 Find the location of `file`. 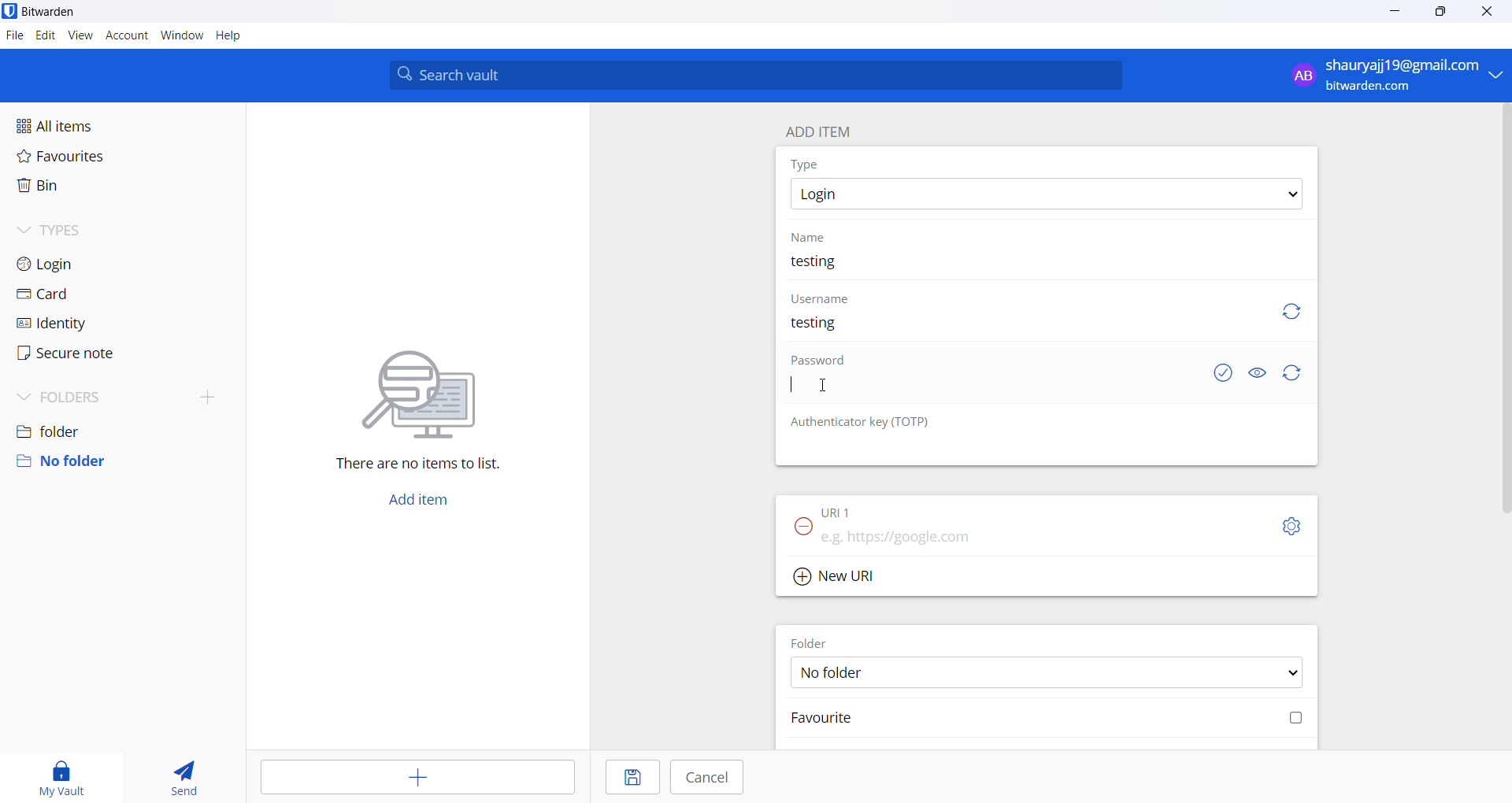

file is located at coordinates (13, 37).